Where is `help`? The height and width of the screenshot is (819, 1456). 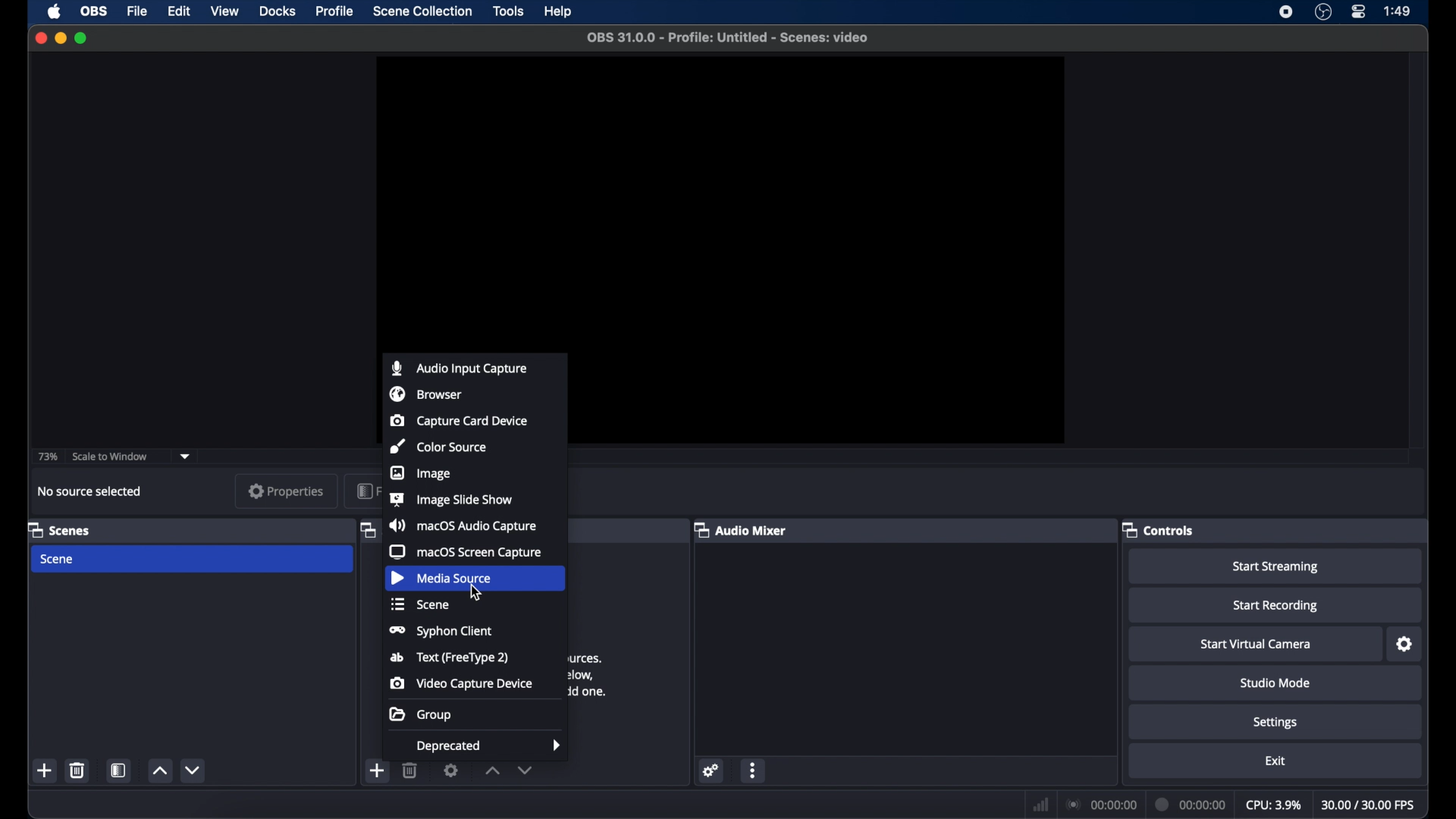
help is located at coordinates (558, 12).